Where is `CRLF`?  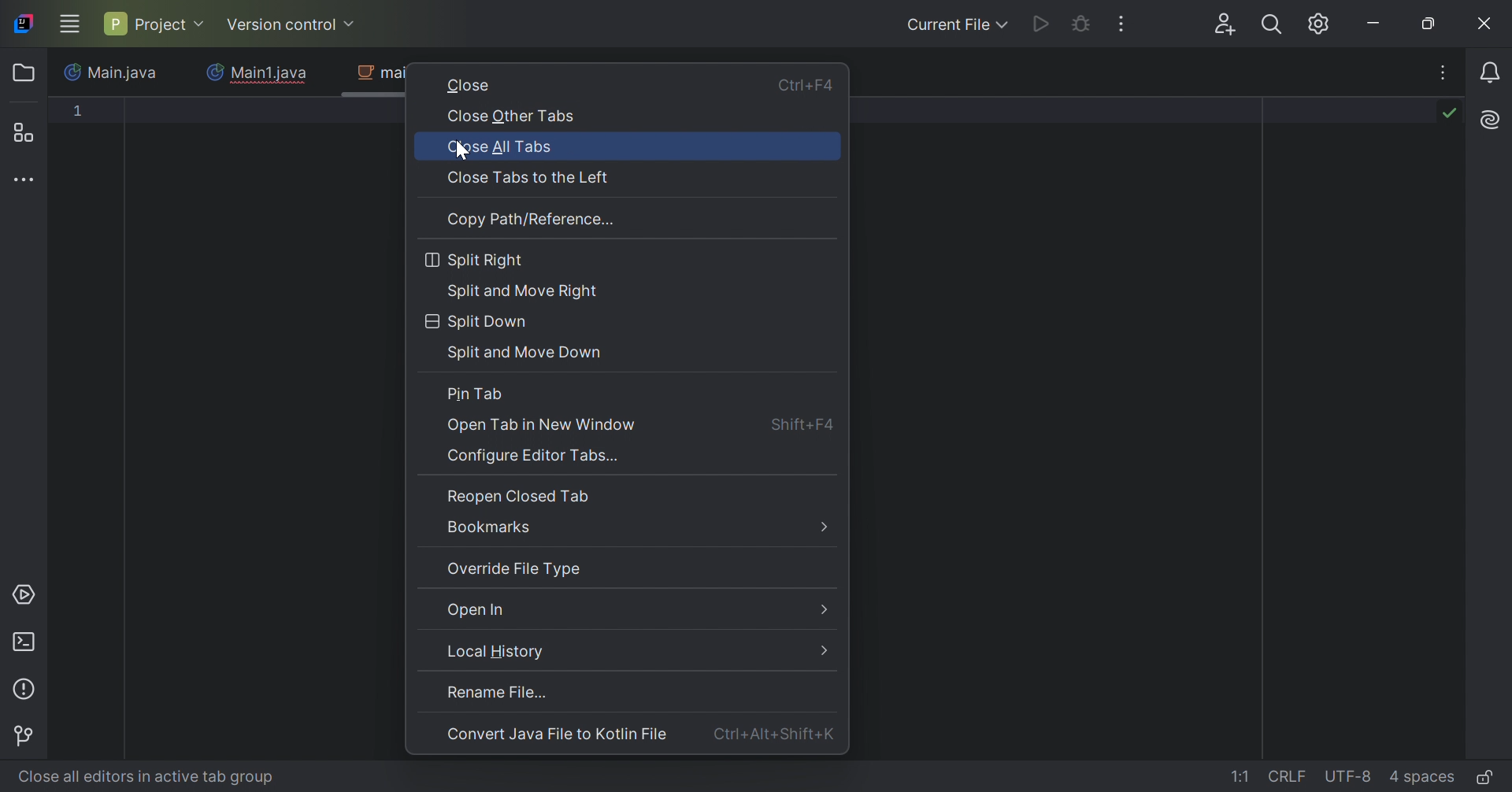 CRLF is located at coordinates (1289, 775).